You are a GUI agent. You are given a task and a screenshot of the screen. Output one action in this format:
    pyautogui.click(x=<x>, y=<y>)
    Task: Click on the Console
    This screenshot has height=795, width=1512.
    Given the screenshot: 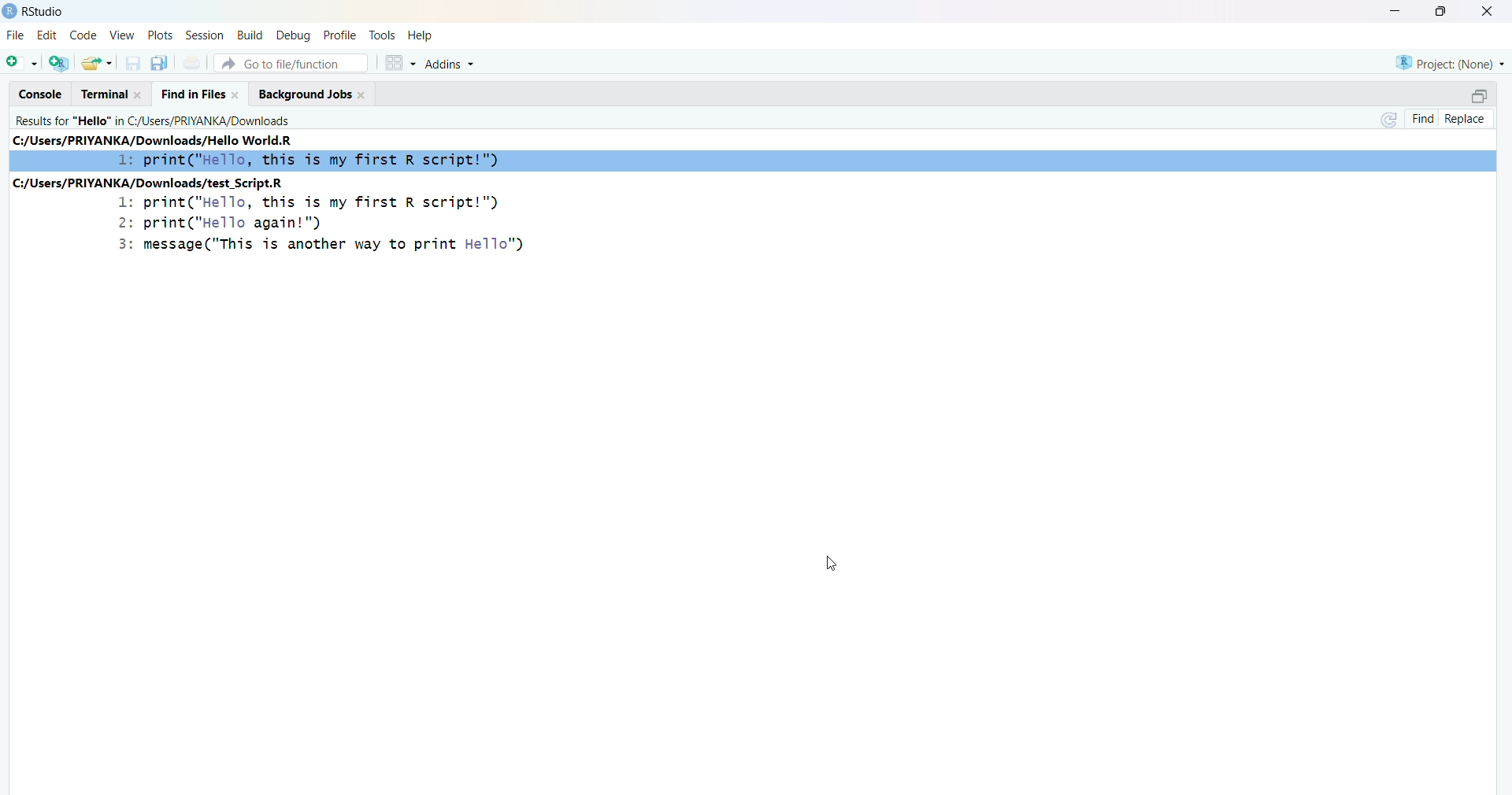 What is the action you would take?
    pyautogui.click(x=42, y=94)
    